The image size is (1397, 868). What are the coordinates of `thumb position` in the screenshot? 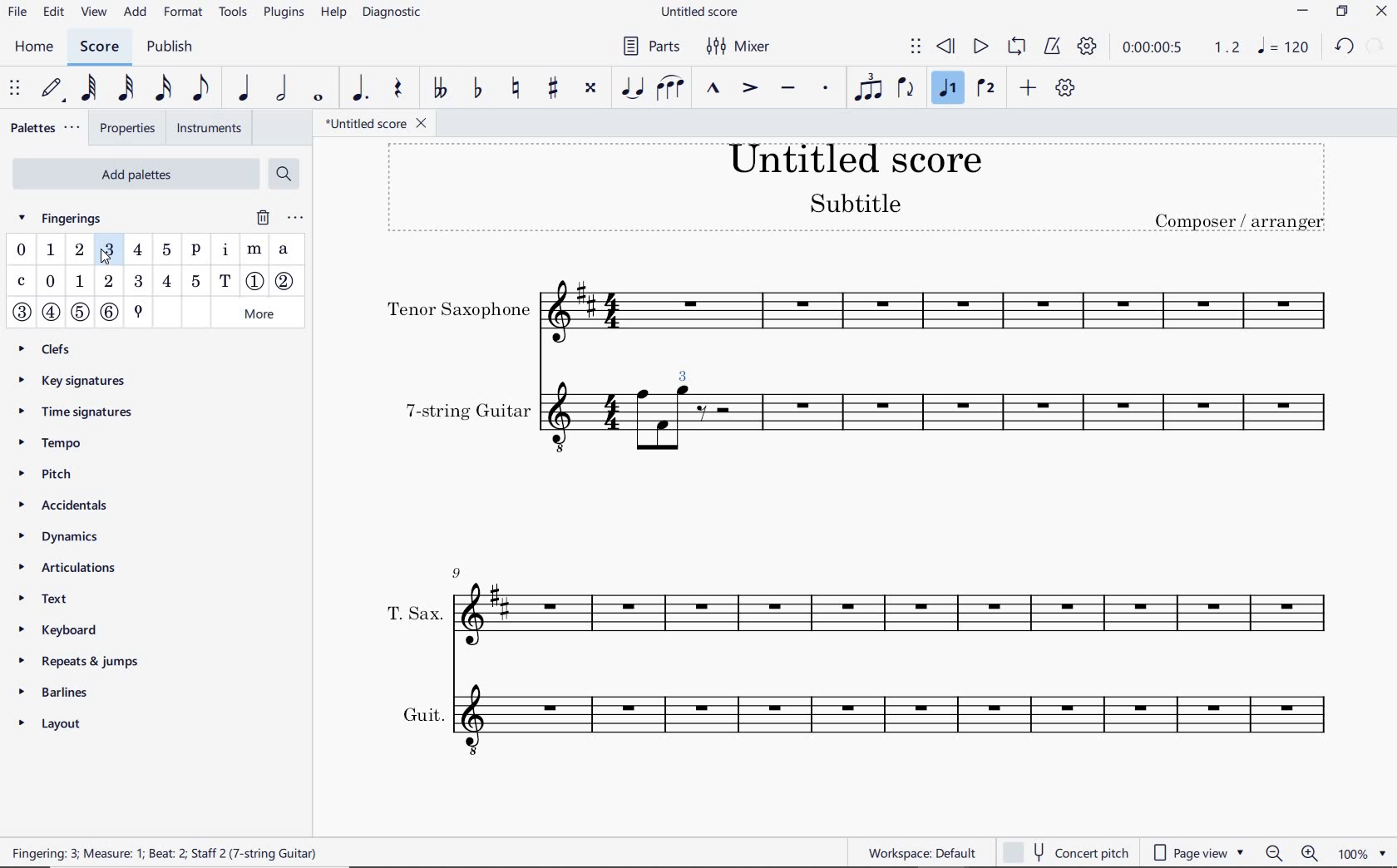 It's located at (136, 313).